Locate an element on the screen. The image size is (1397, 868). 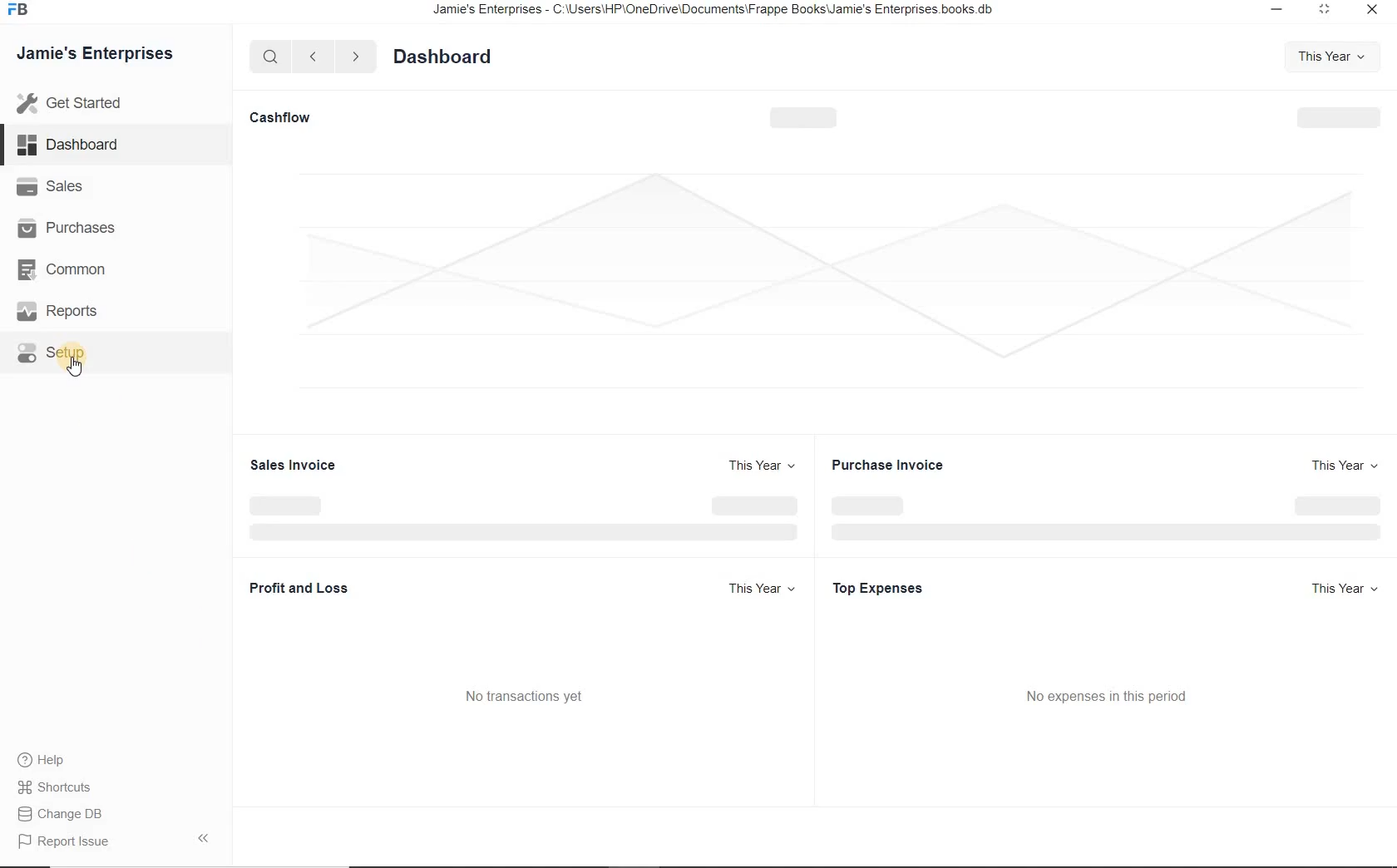
search is located at coordinates (270, 57).